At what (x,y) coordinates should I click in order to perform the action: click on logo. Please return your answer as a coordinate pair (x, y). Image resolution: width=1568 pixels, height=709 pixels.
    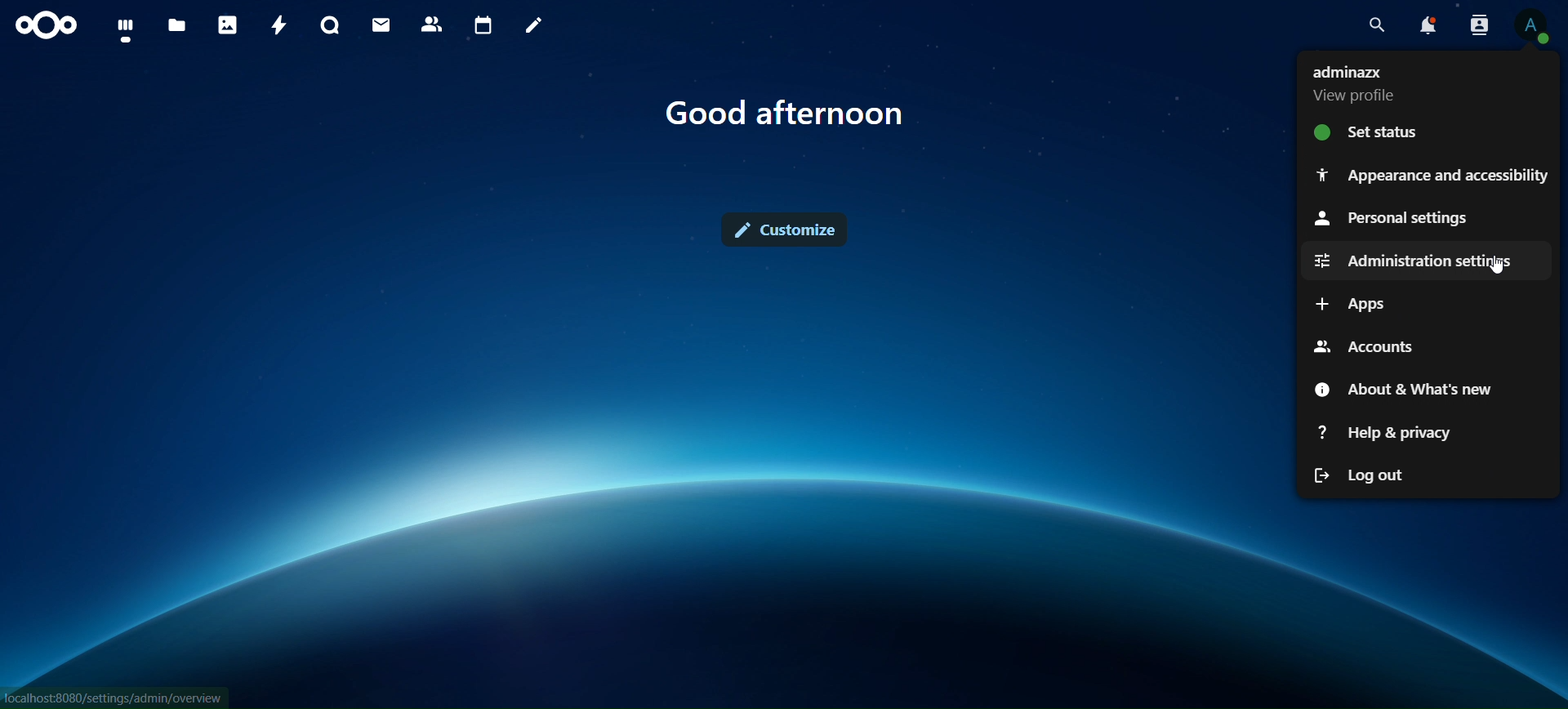
    Looking at the image, I should click on (47, 26).